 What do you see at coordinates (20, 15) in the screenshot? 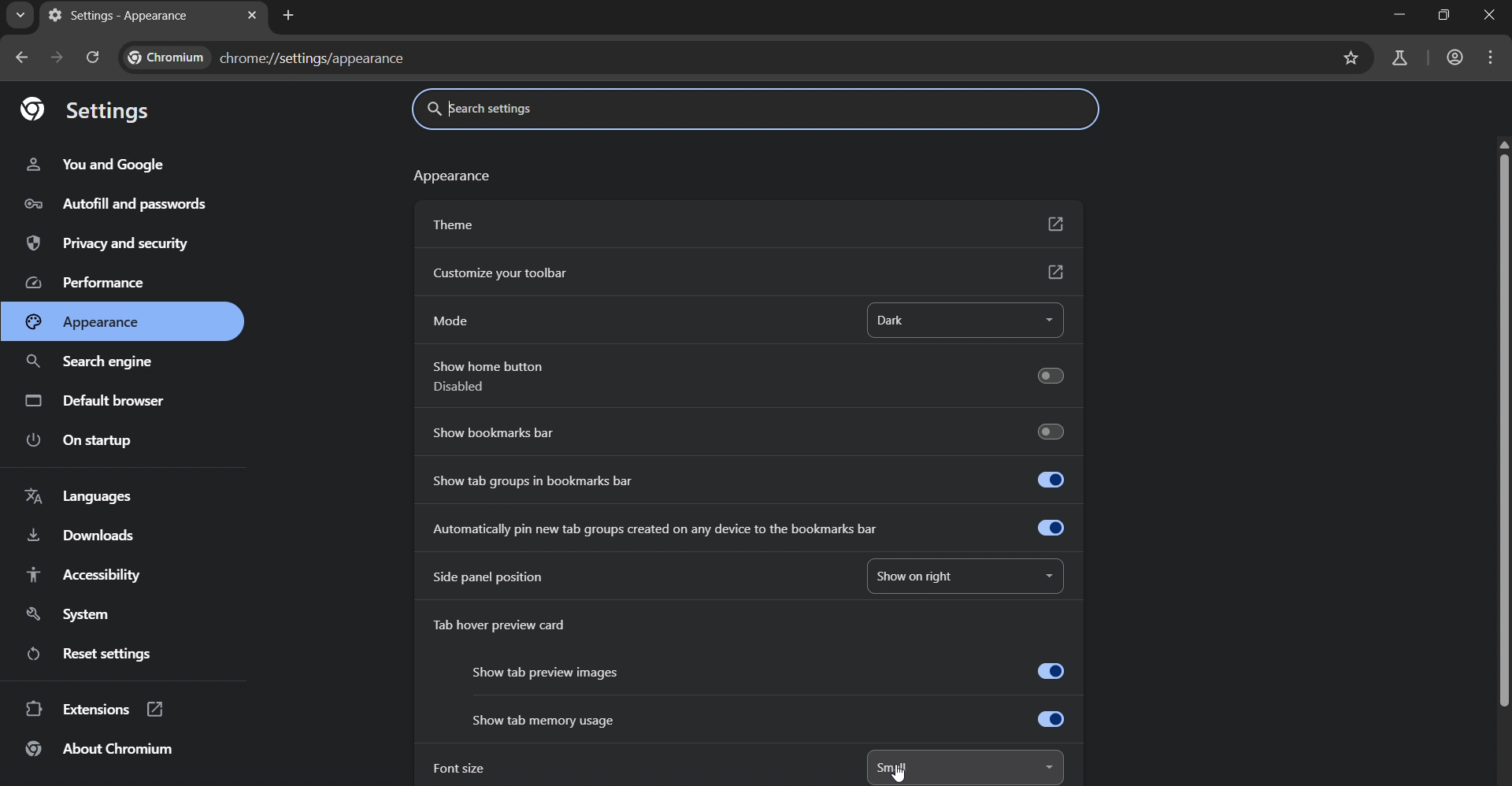
I see `search tabs` at bounding box center [20, 15].